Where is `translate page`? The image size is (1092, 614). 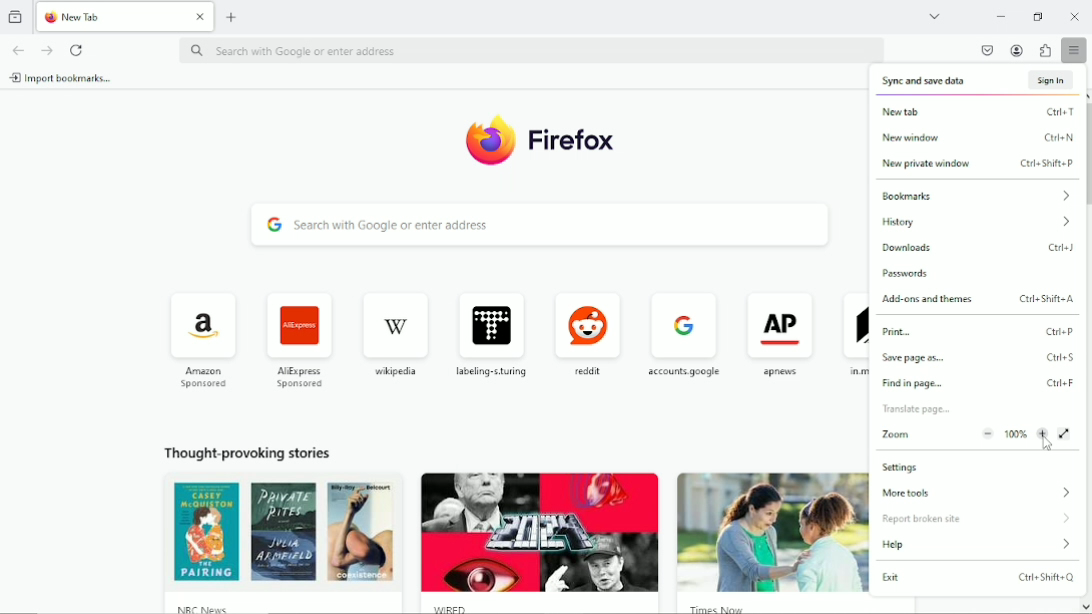 translate page is located at coordinates (916, 410).